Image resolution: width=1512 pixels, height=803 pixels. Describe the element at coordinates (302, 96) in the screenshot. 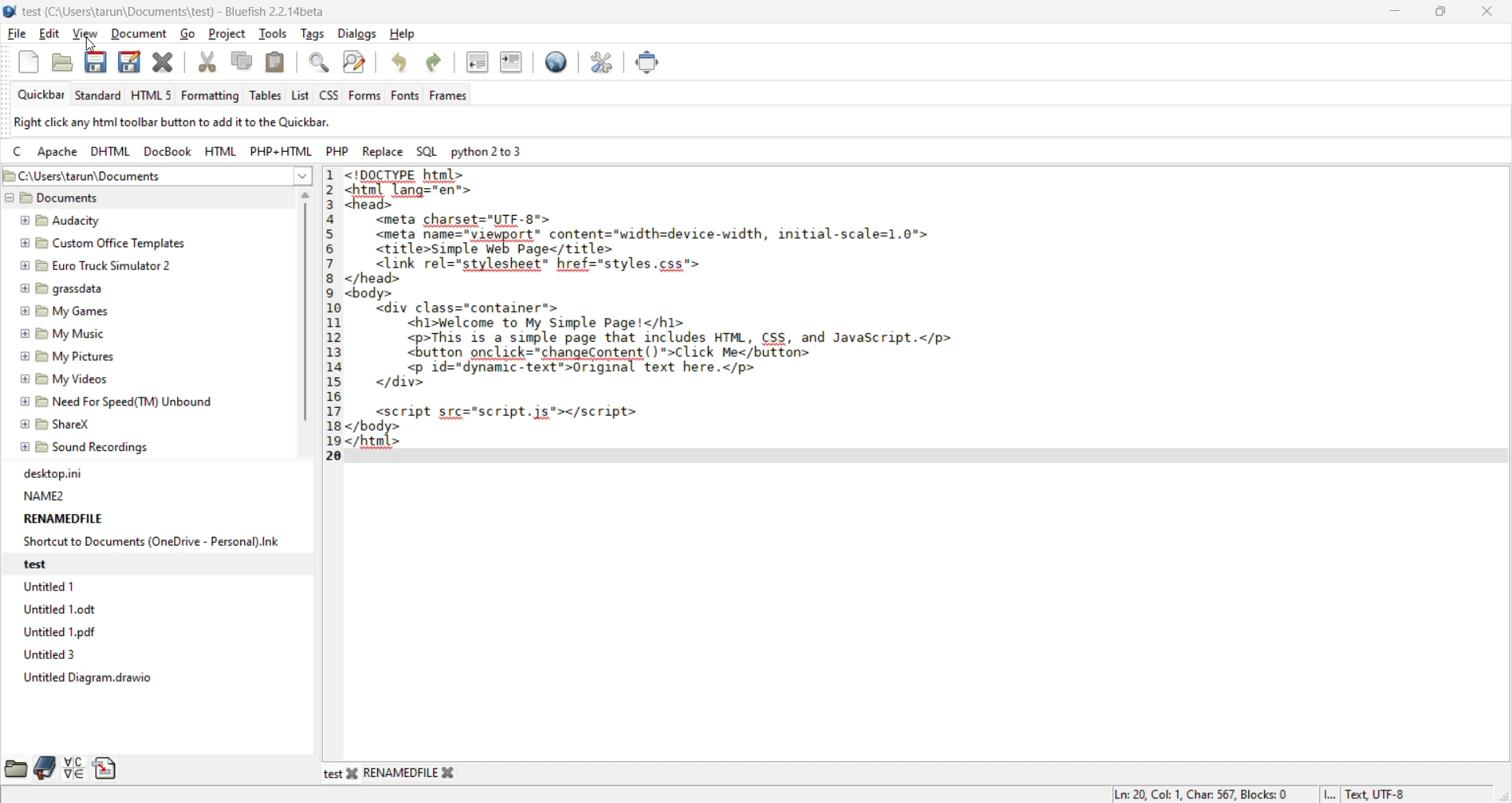

I see `list` at that location.